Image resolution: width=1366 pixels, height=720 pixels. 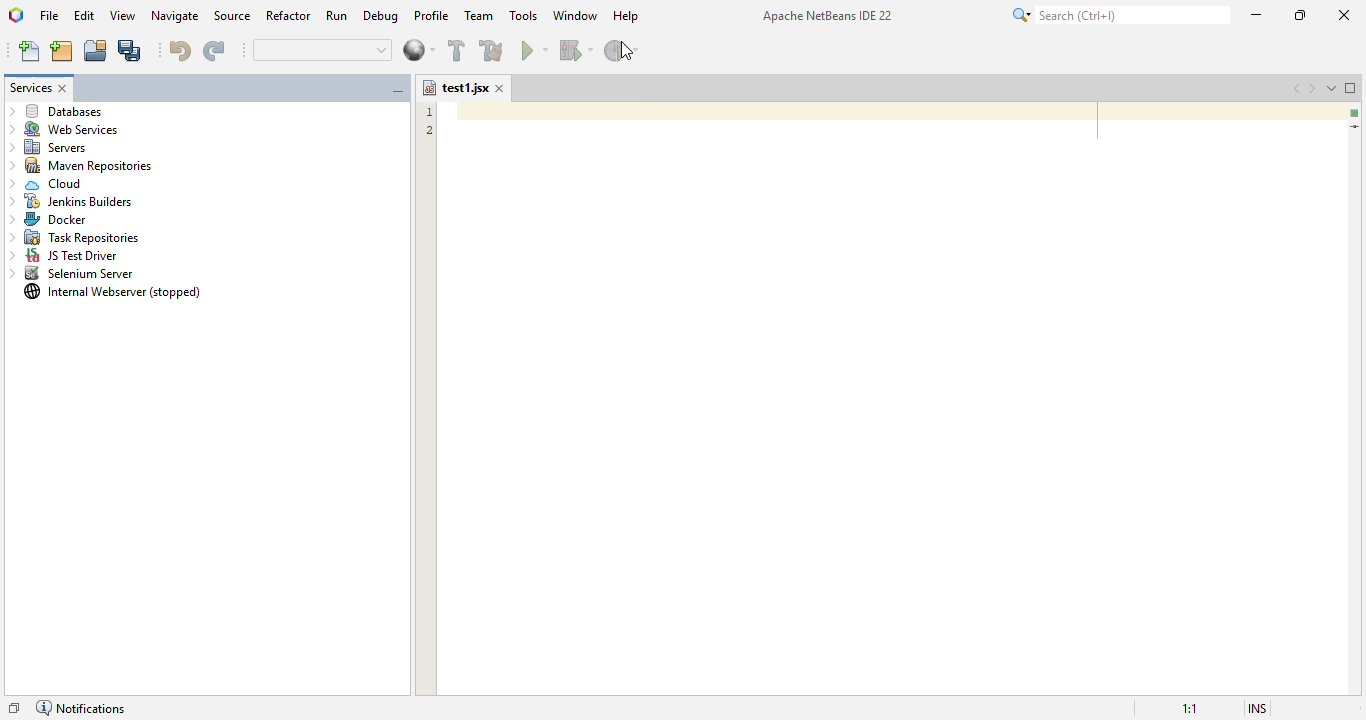 What do you see at coordinates (337, 15) in the screenshot?
I see `run` at bounding box center [337, 15].